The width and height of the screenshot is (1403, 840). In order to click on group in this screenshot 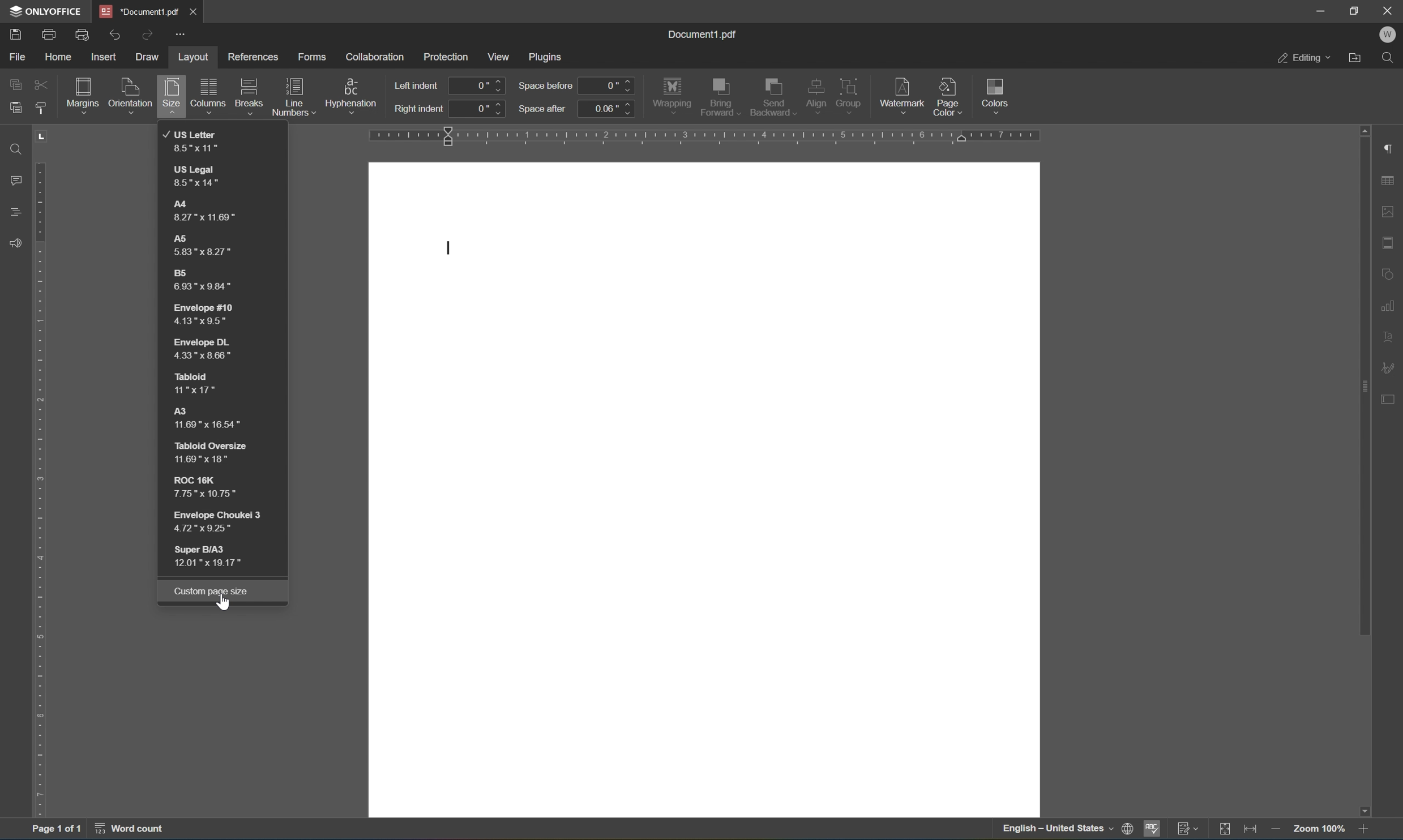, I will do `click(852, 93)`.